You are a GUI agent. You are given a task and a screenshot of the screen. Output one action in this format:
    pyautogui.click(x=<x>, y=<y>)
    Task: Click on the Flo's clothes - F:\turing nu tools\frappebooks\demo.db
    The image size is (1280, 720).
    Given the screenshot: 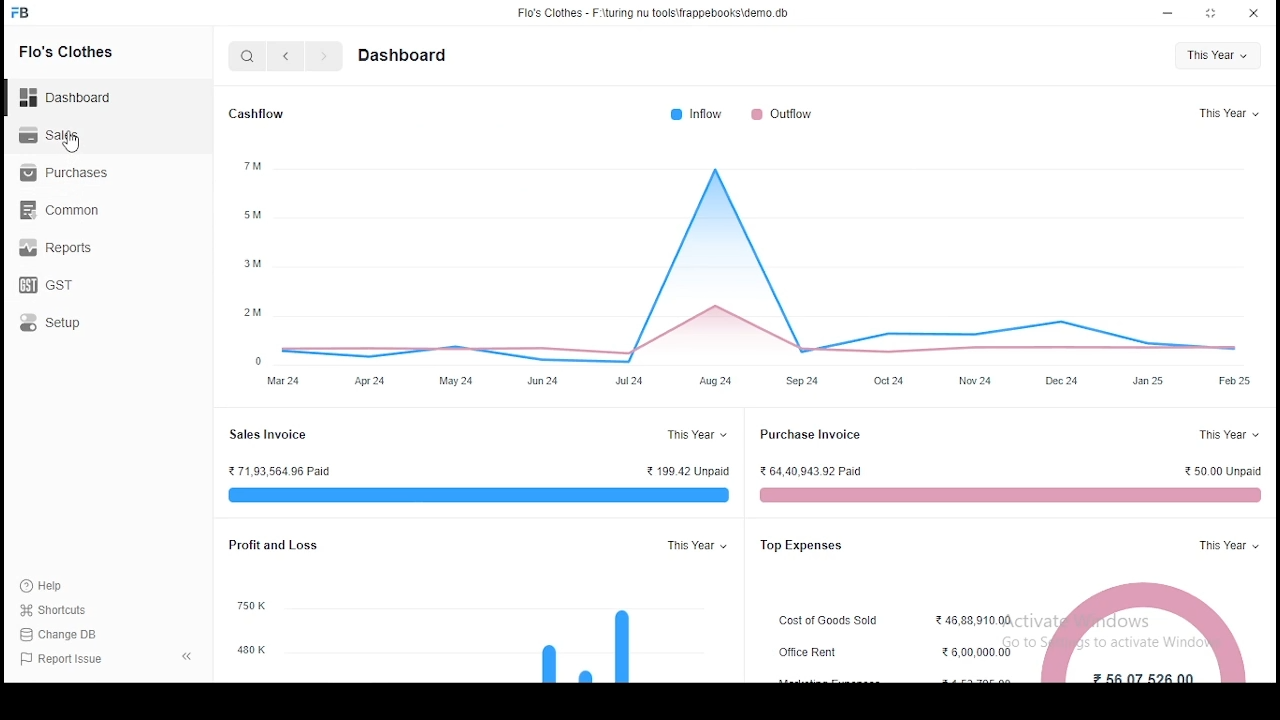 What is the action you would take?
    pyautogui.click(x=654, y=13)
    